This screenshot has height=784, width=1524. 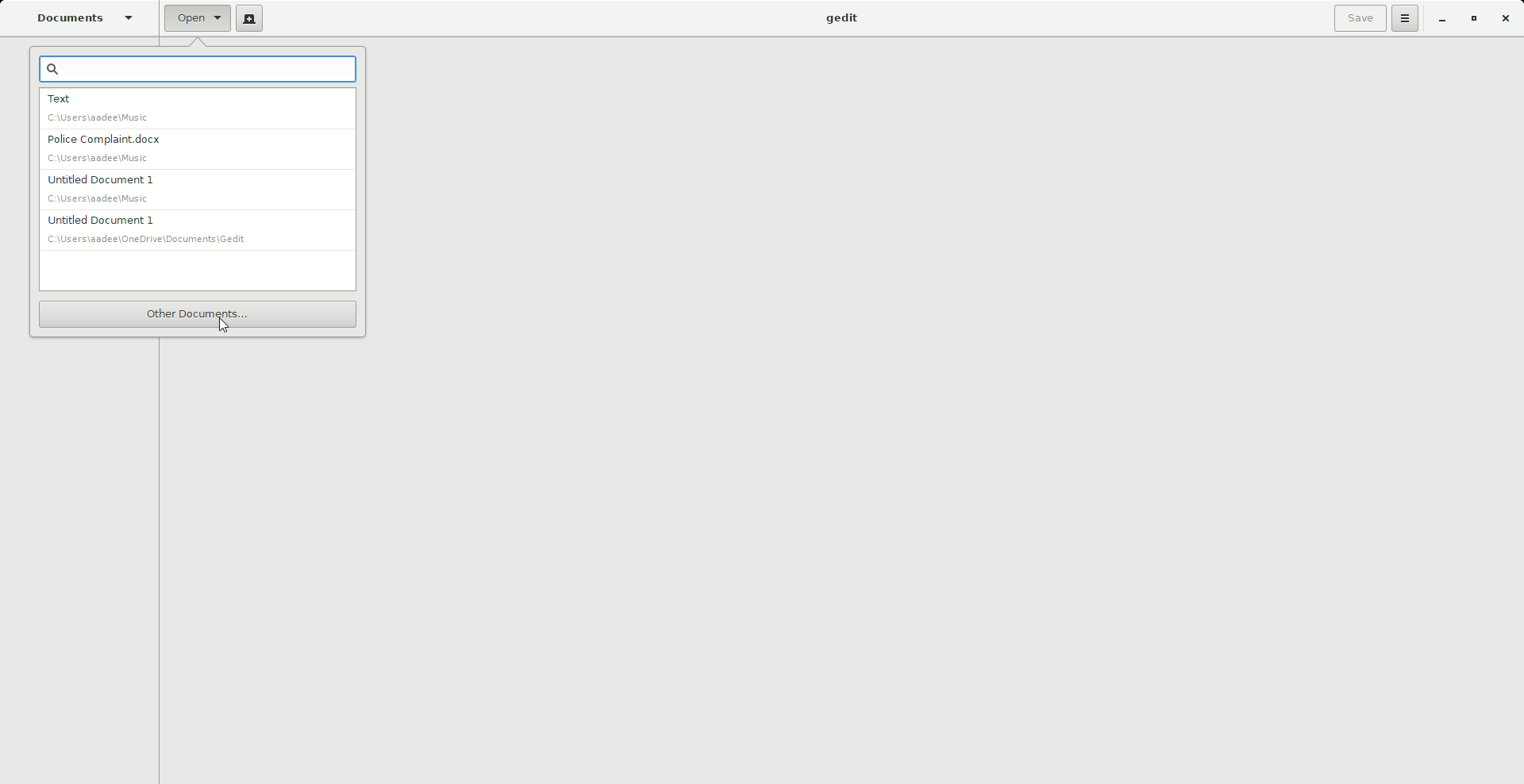 I want to click on Other documents, so click(x=197, y=317).